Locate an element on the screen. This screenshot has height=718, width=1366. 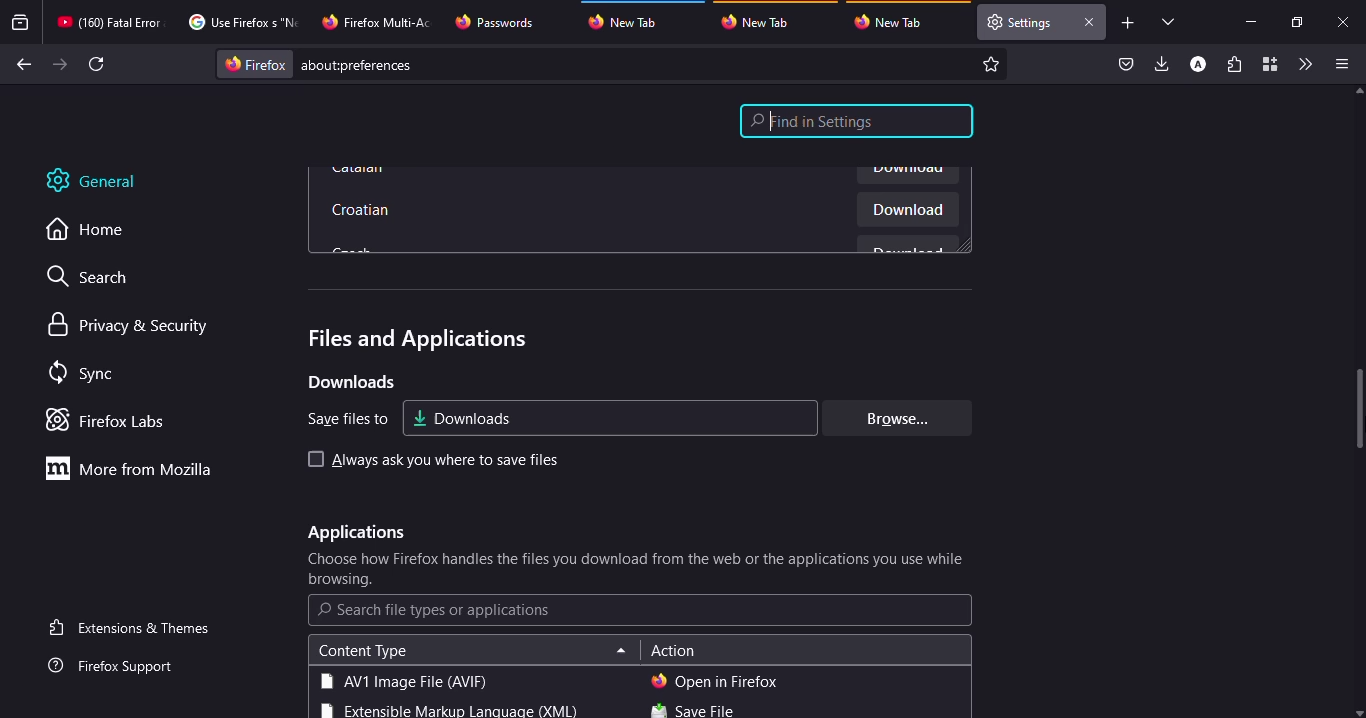
open is located at coordinates (716, 679).